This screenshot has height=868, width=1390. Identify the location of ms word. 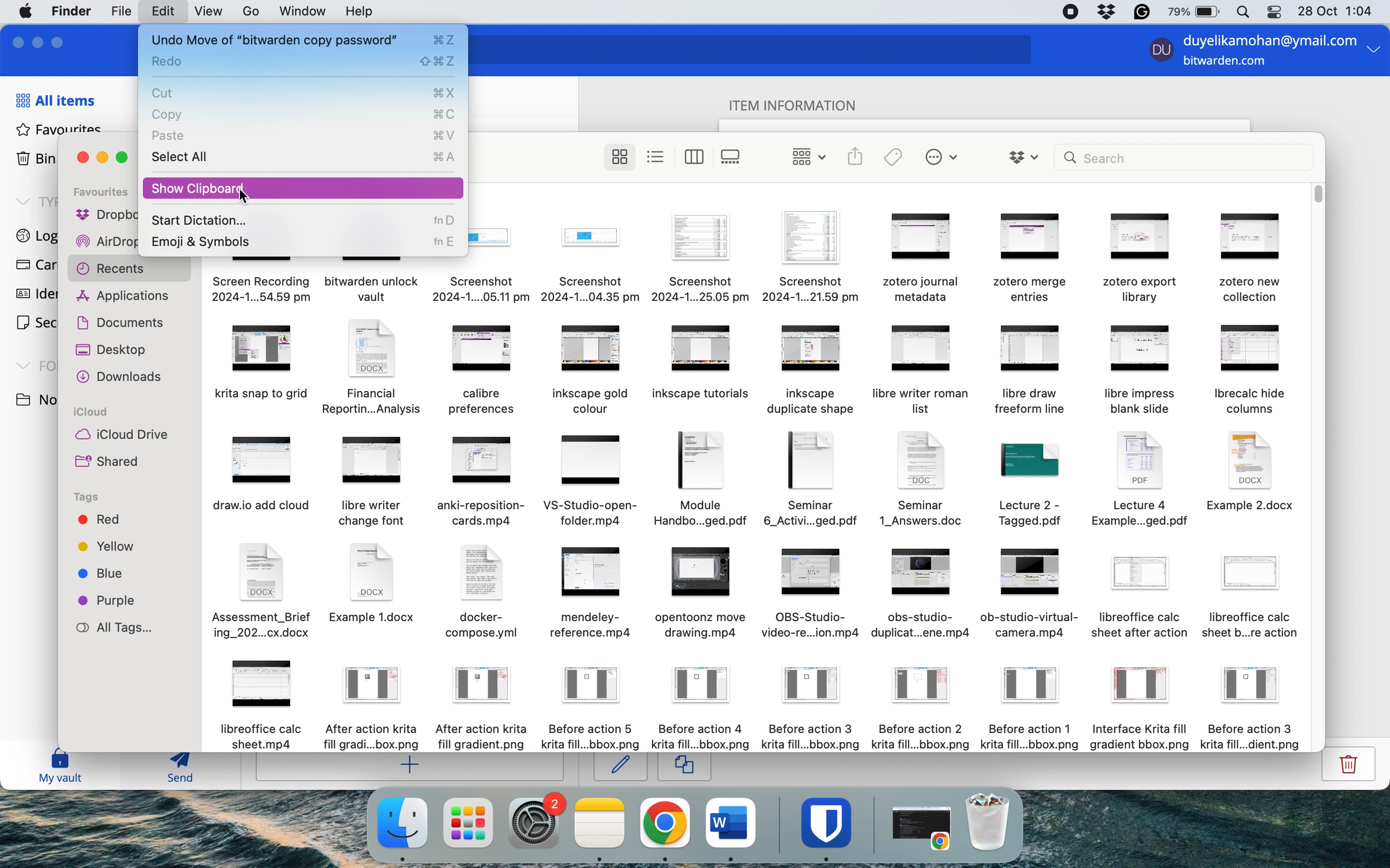
(731, 822).